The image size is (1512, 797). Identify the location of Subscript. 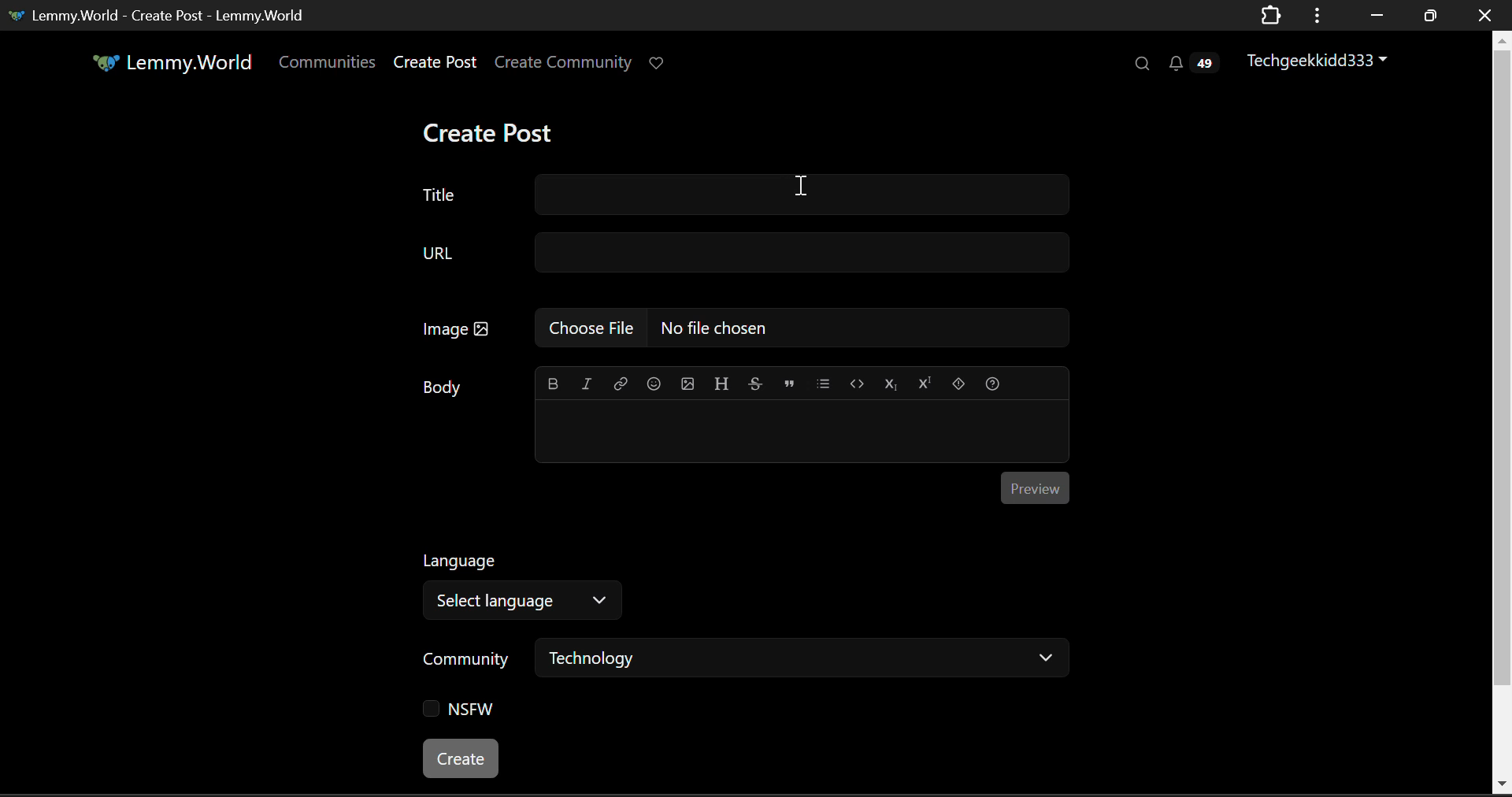
(890, 385).